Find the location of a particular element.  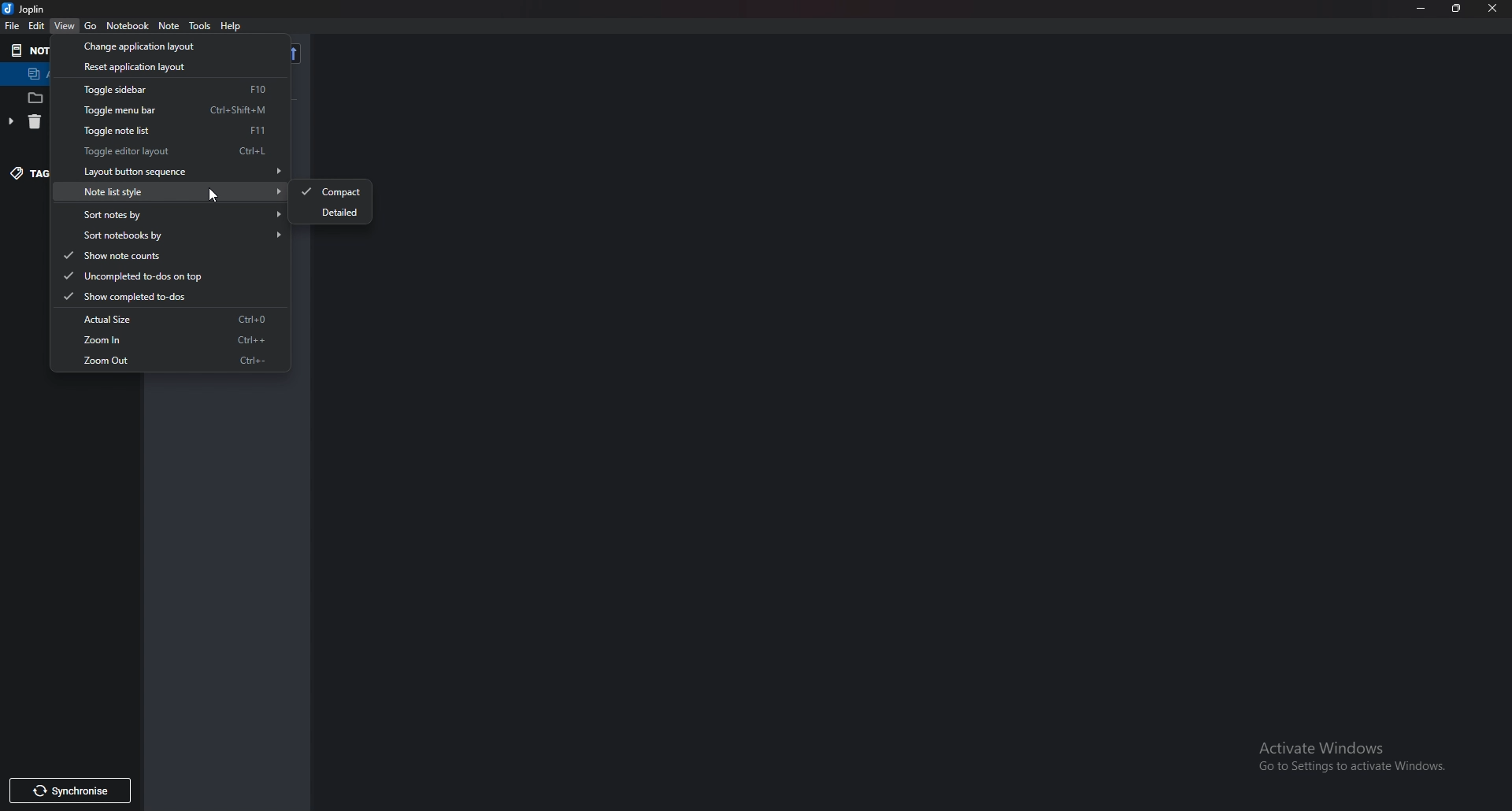

Note list style is located at coordinates (182, 191).